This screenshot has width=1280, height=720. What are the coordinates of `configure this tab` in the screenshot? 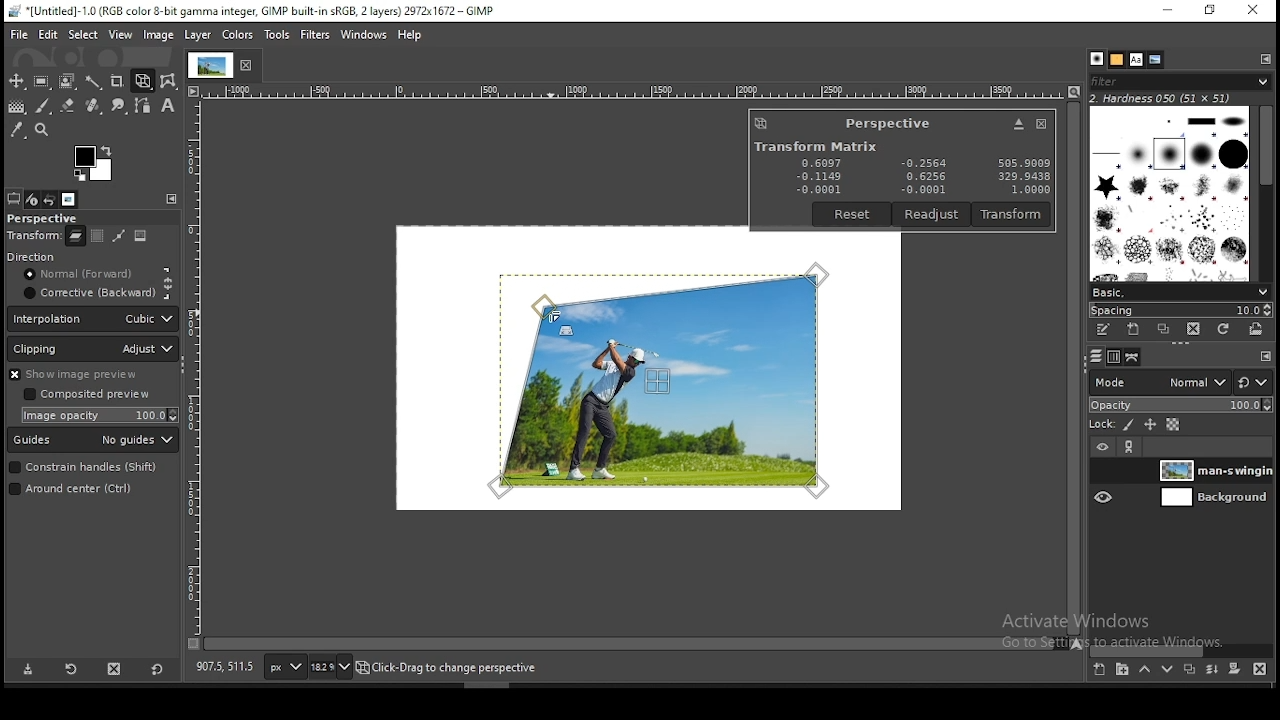 It's located at (1267, 59).